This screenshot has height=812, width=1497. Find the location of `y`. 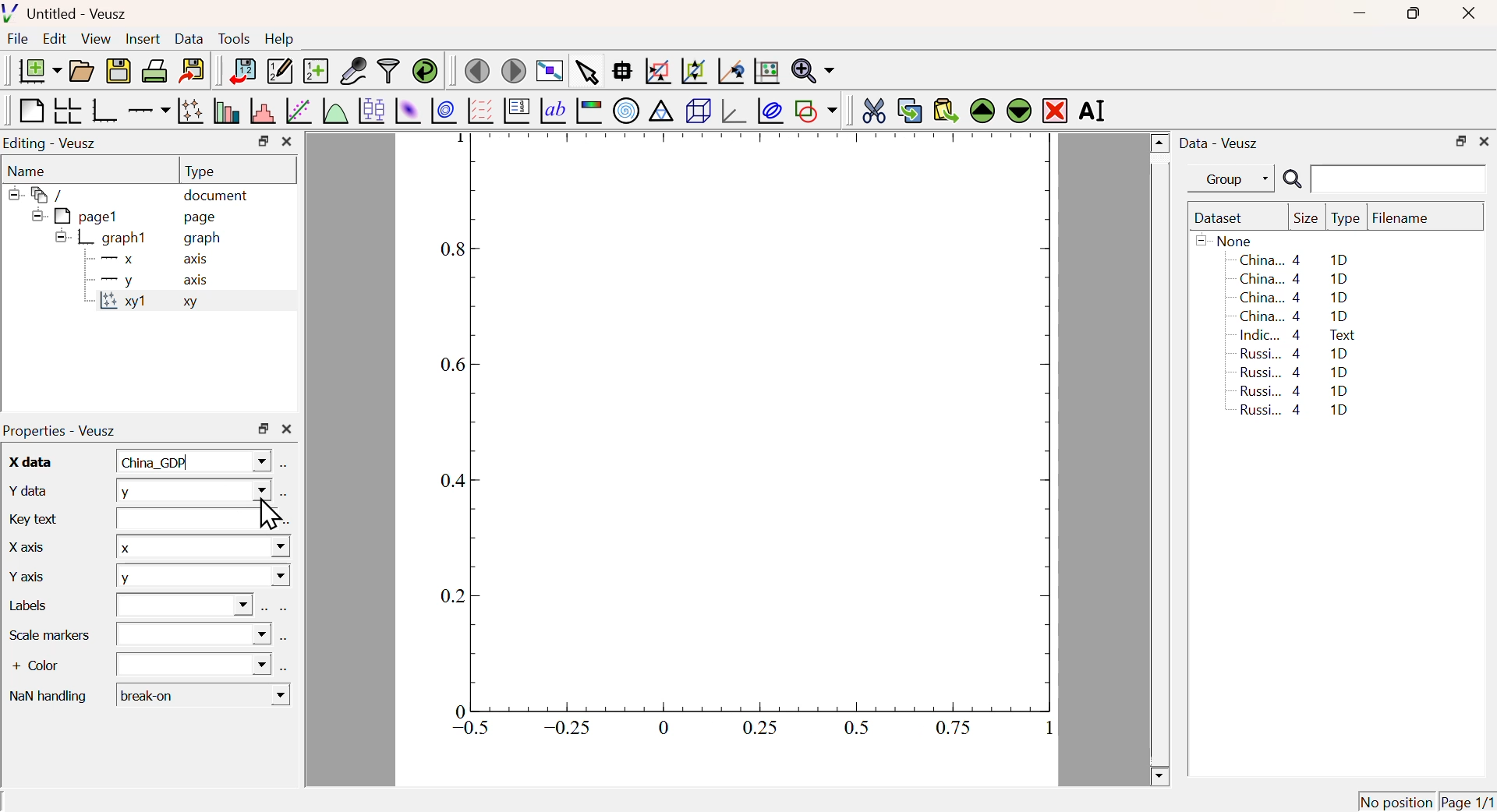

y is located at coordinates (193, 489).